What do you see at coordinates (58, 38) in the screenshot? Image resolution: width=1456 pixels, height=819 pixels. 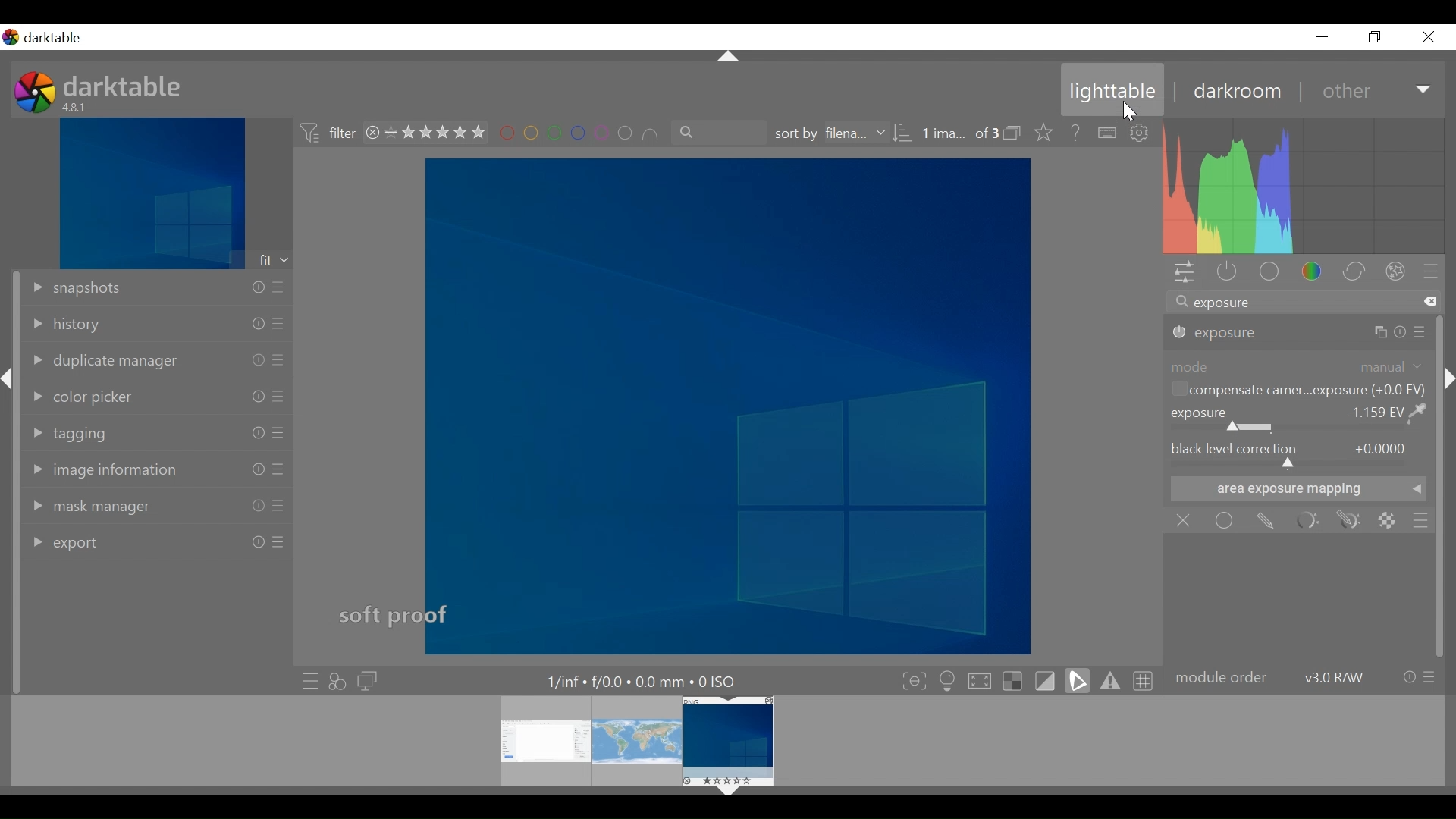 I see `darktable` at bounding box center [58, 38].